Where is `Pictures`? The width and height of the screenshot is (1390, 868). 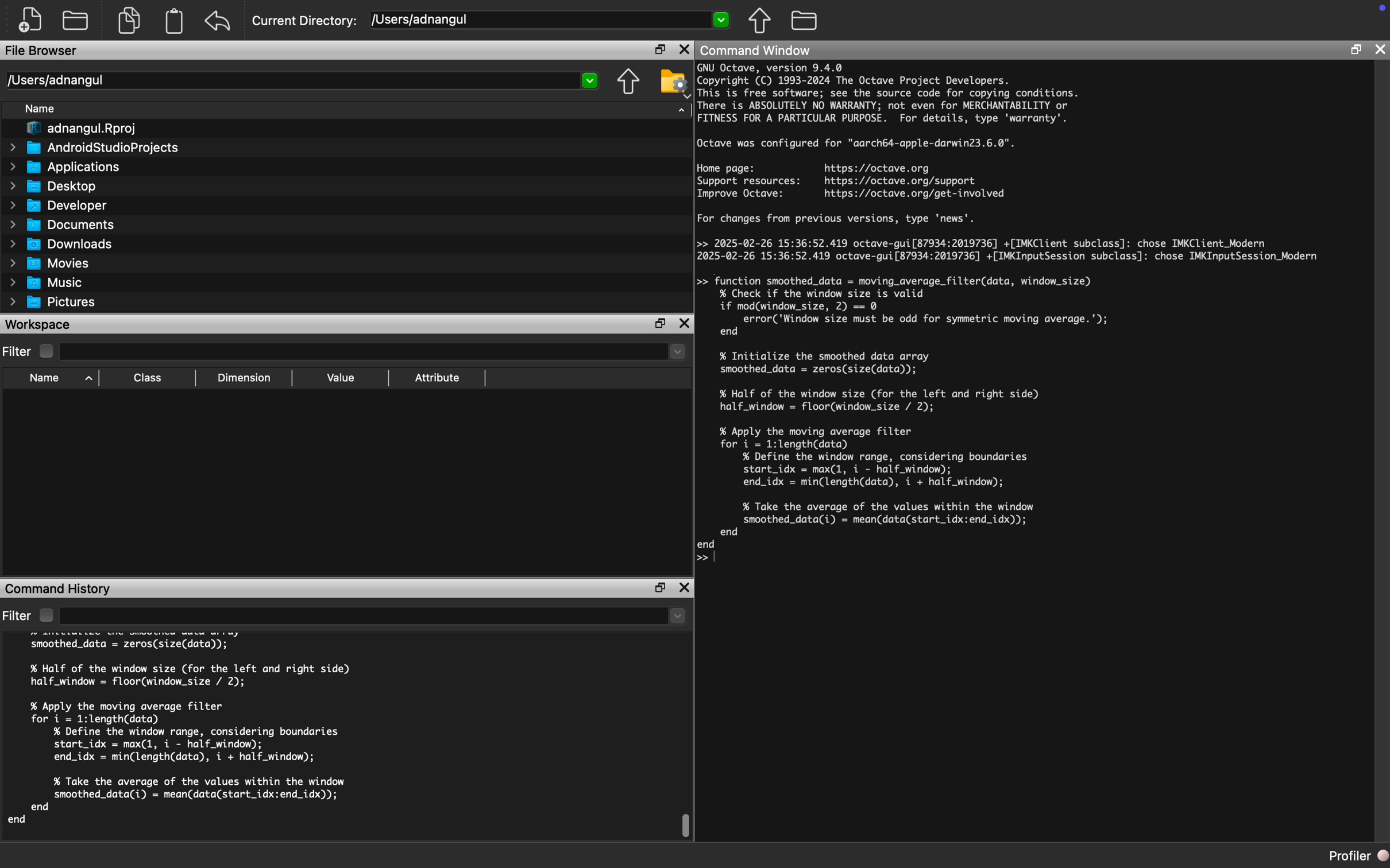 Pictures is located at coordinates (55, 303).